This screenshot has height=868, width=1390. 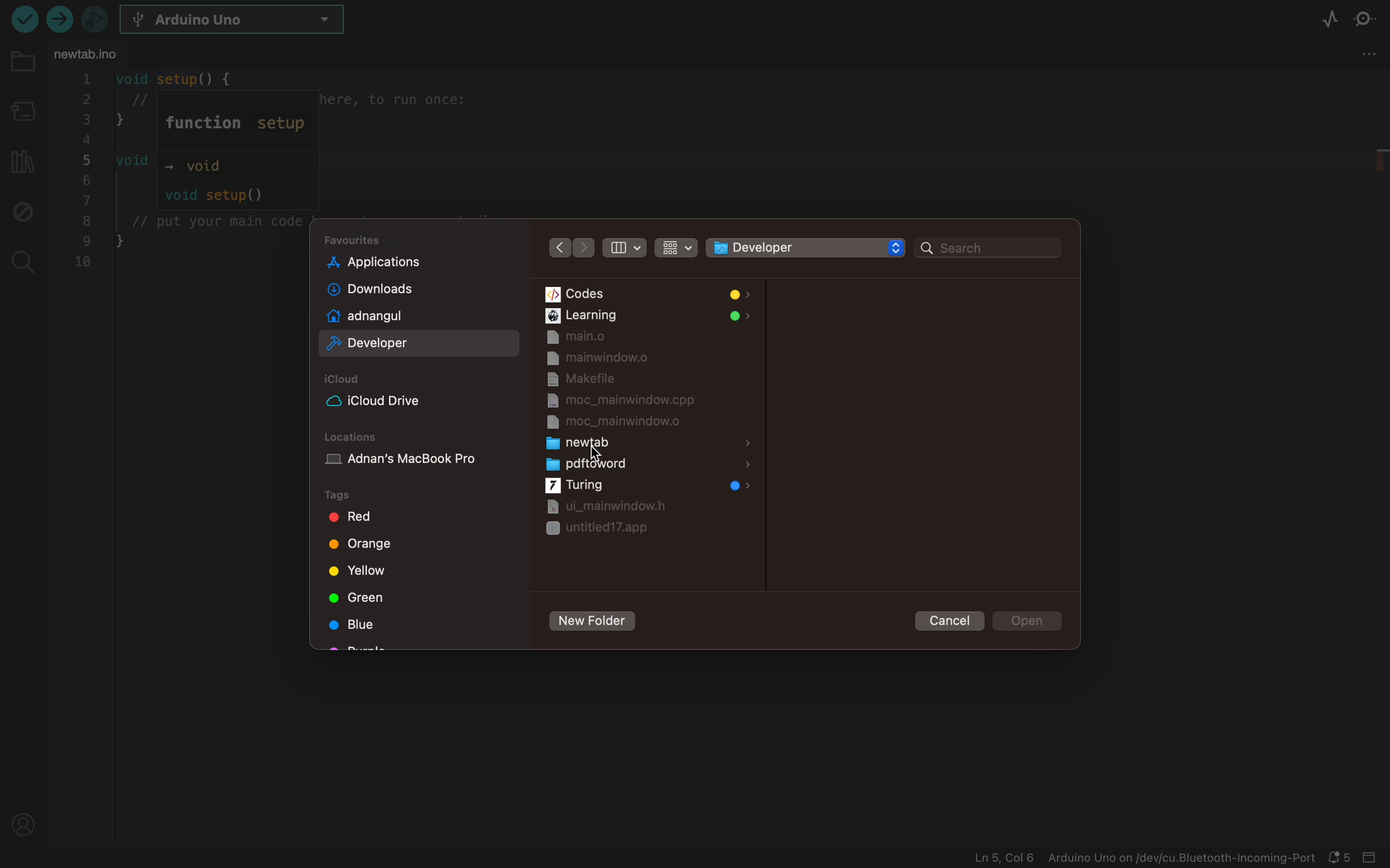 What do you see at coordinates (94, 18) in the screenshot?
I see `debugger` at bounding box center [94, 18].